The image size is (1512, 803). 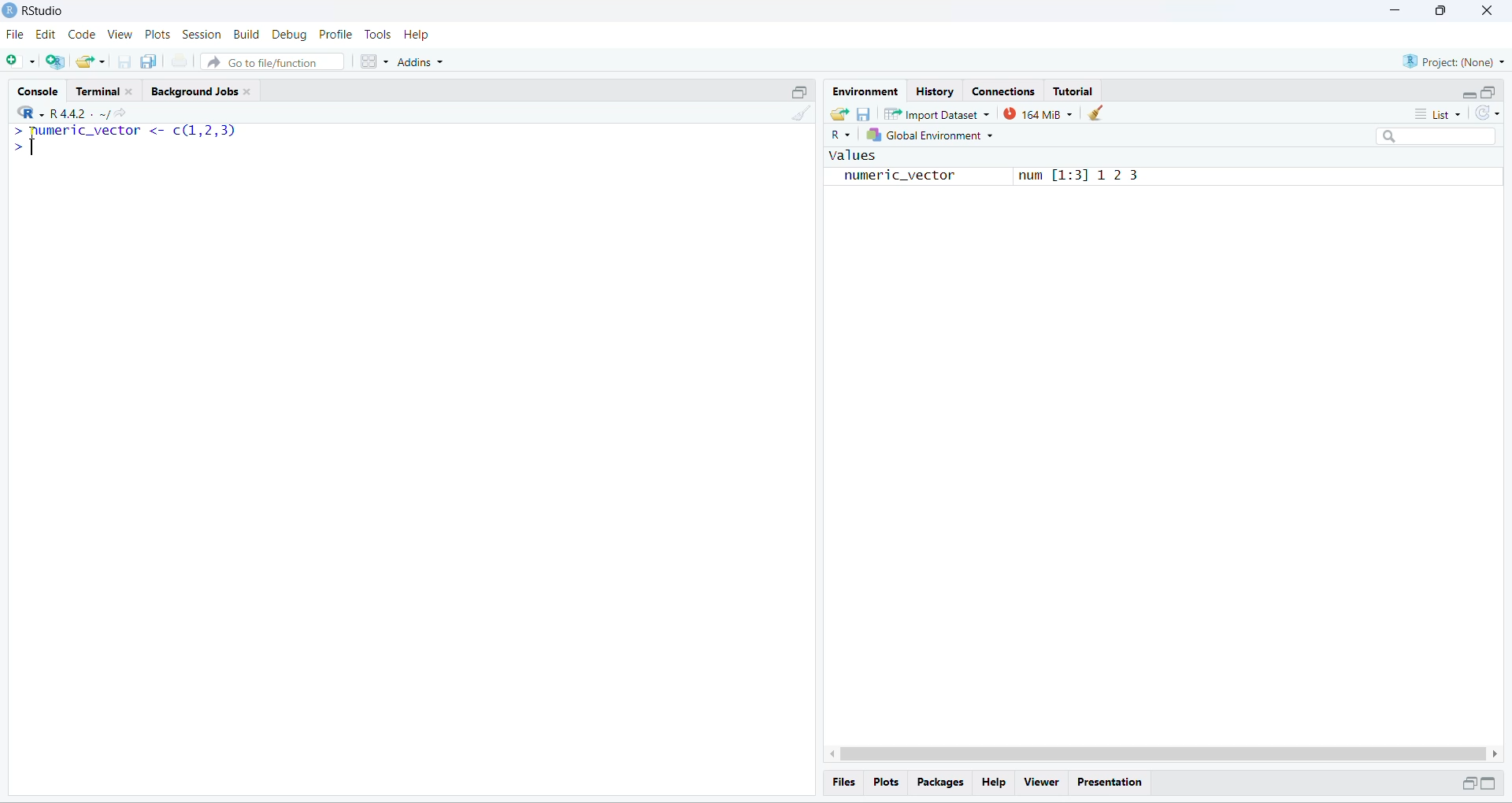 What do you see at coordinates (929, 135) in the screenshot?
I see `global Environment` at bounding box center [929, 135].